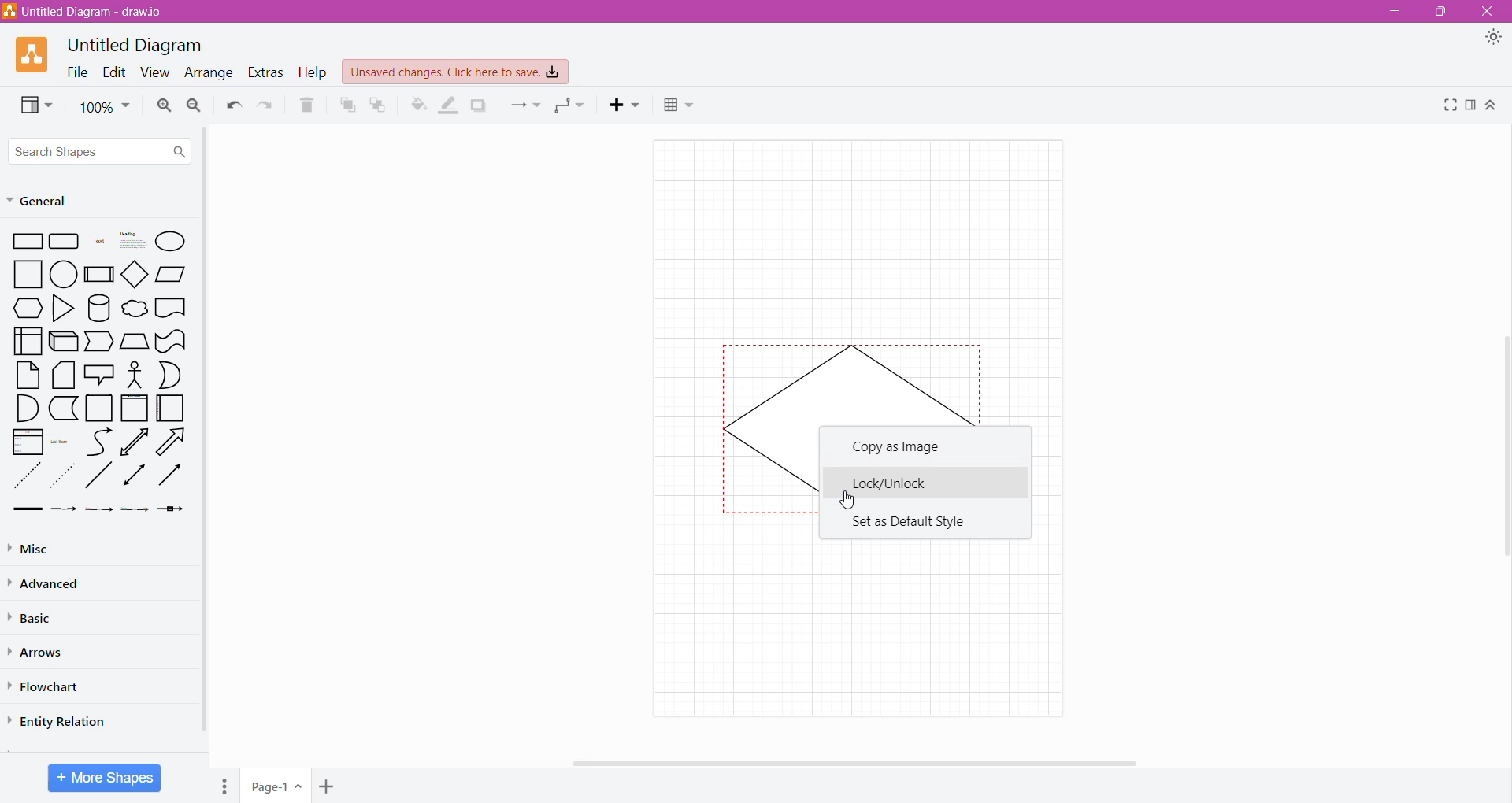 The height and width of the screenshot is (803, 1512). I want to click on Waypoints, so click(571, 107).